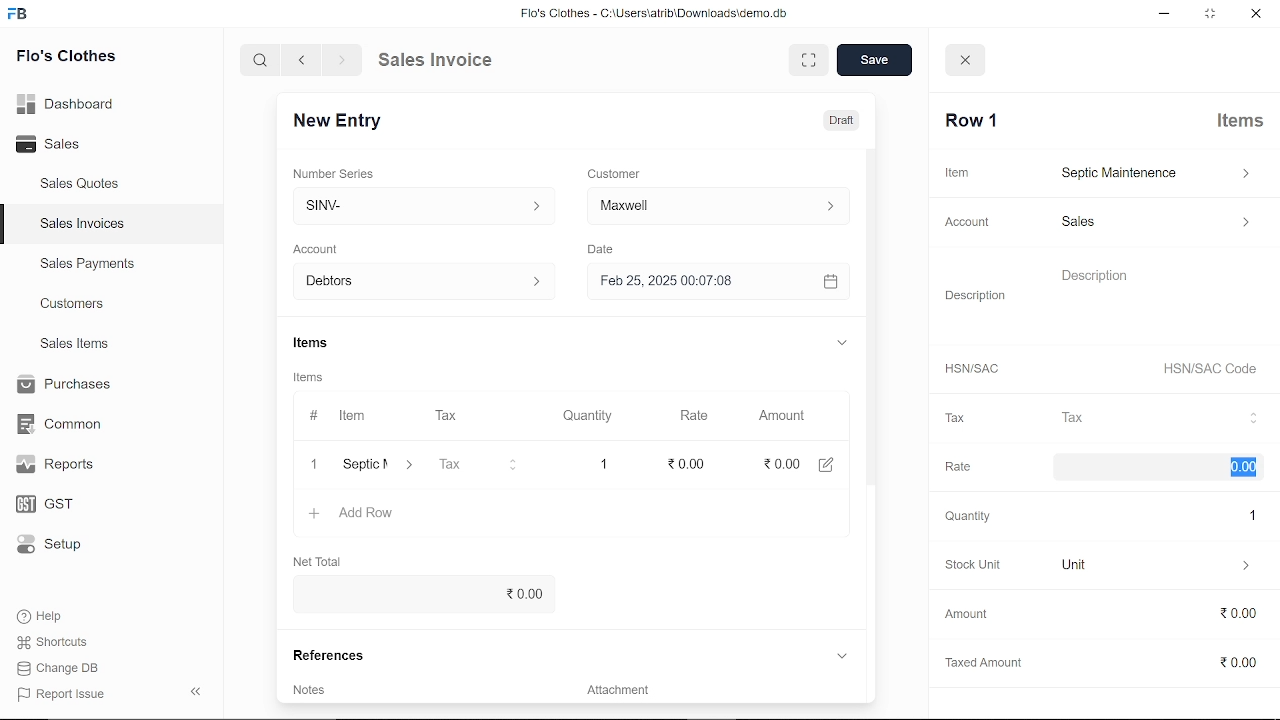  What do you see at coordinates (417, 281) in the screenshot?
I see `Debtors` at bounding box center [417, 281].